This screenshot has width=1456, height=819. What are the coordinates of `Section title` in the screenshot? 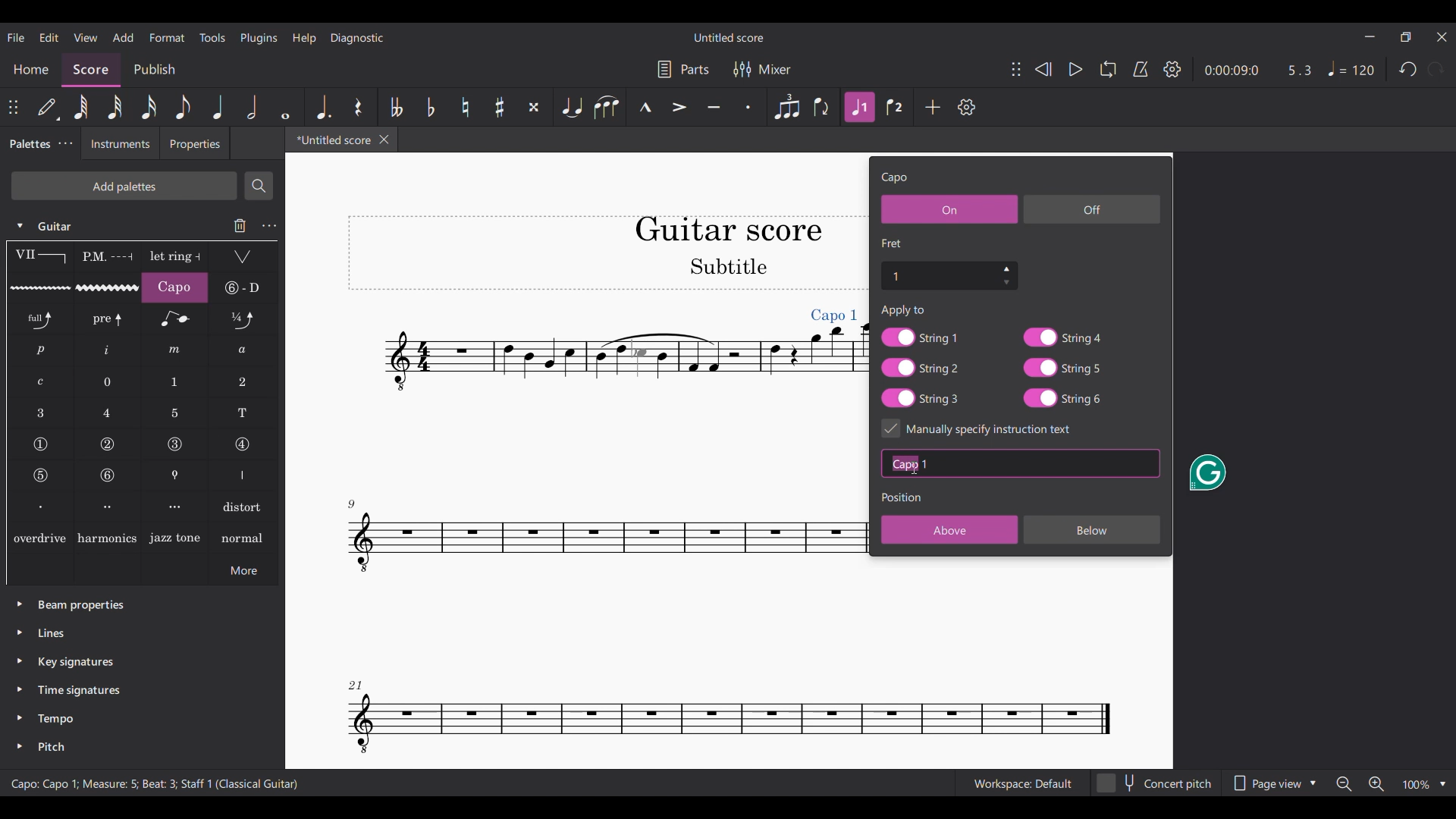 It's located at (902, 496).